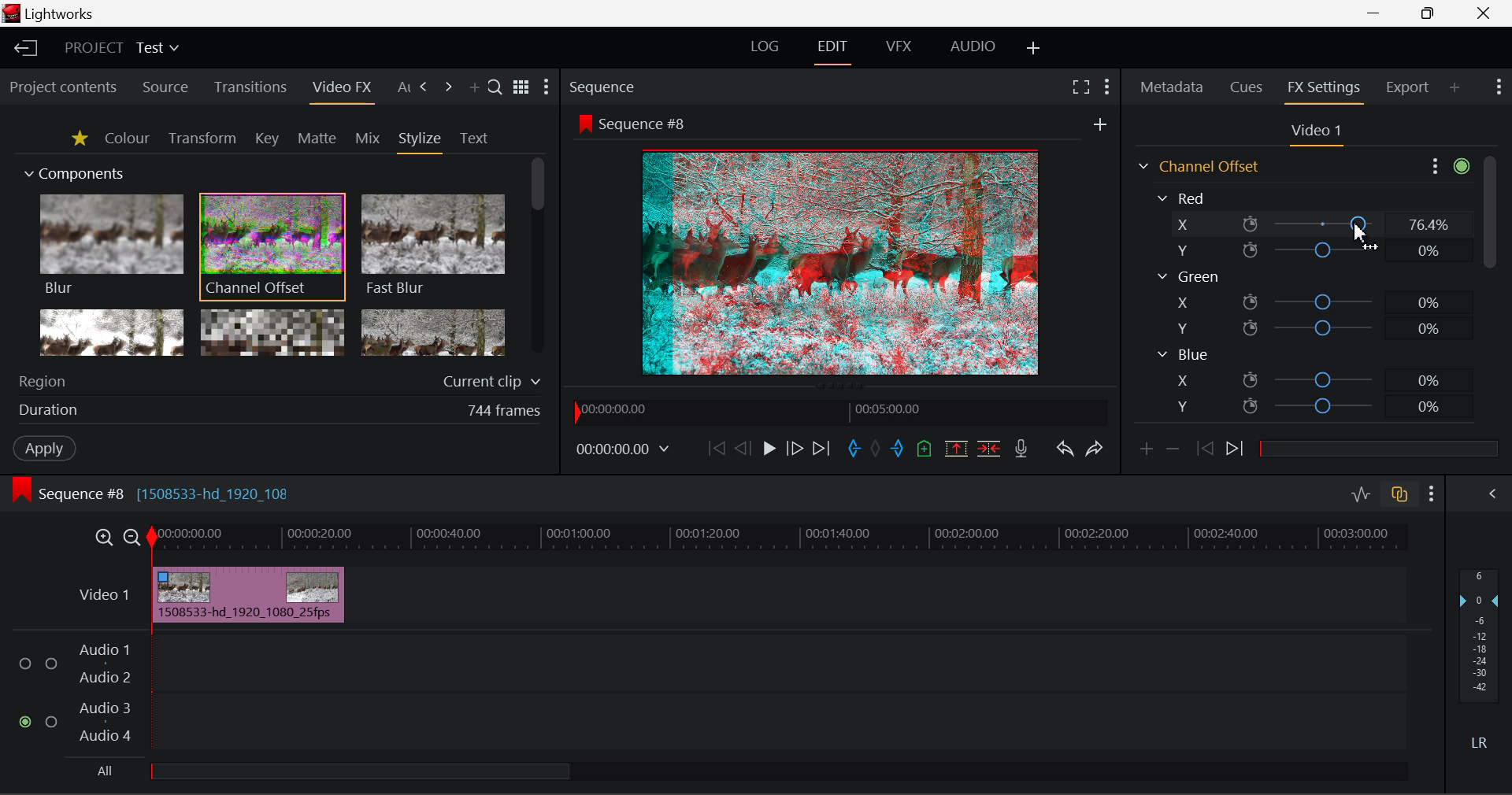 This screenshot has width=1512, height=795. I want to click on AUDIO Layout, so click(975, 50).